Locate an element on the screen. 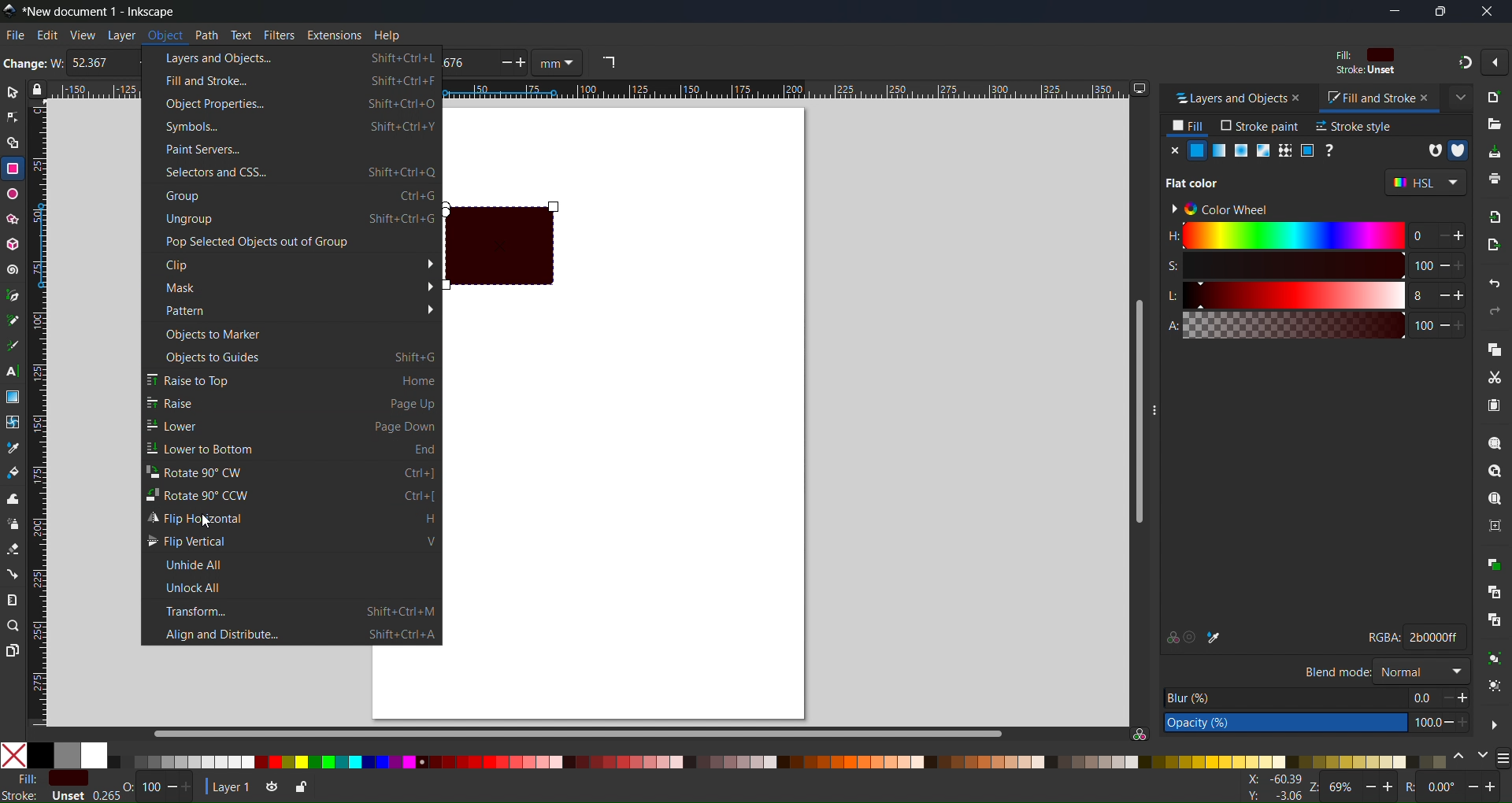 The height and width of the screenshot is (803, 1512). Color managed is located at coordinates (1170, 637).